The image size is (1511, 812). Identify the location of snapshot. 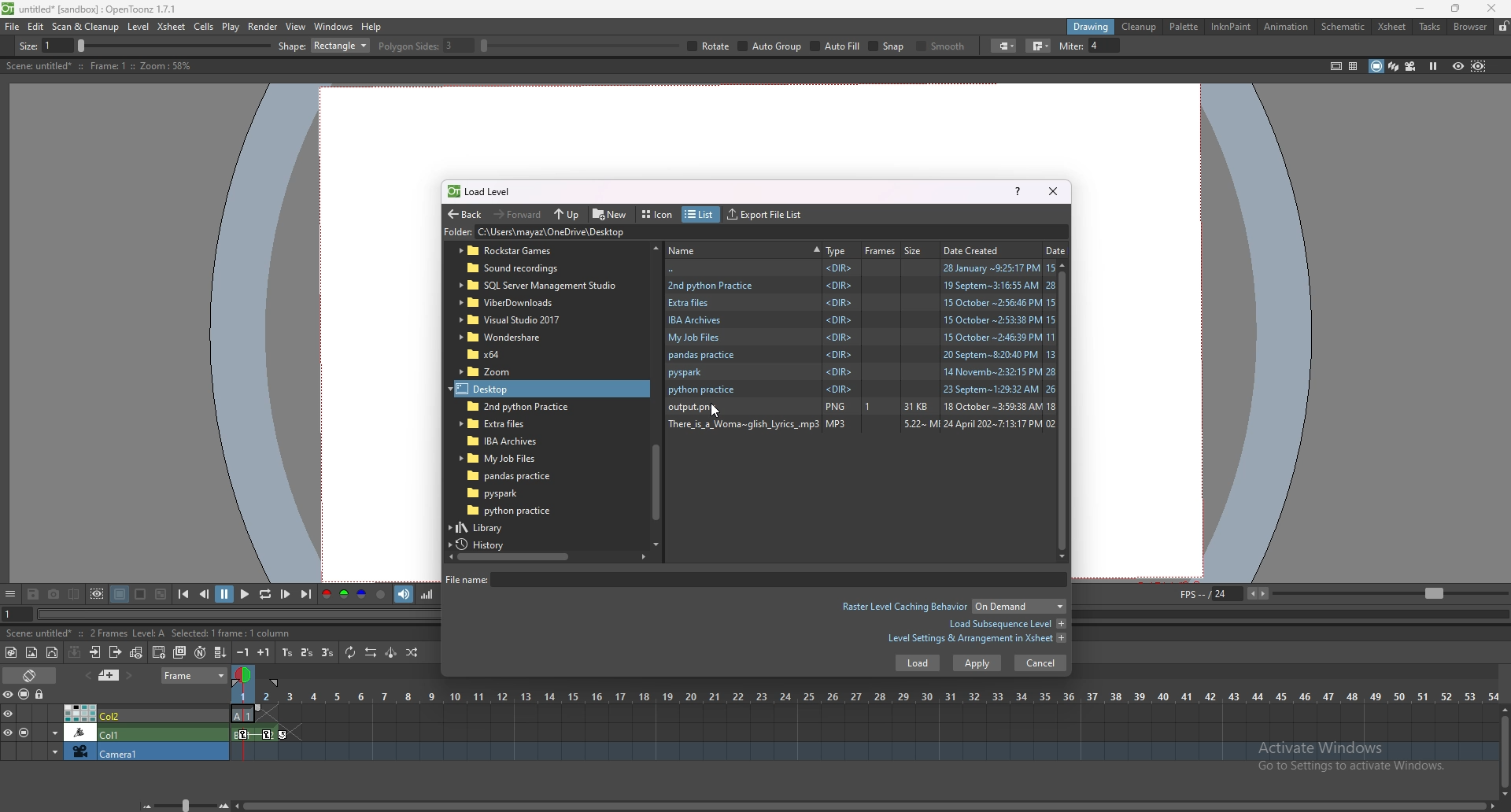
(54, 595).